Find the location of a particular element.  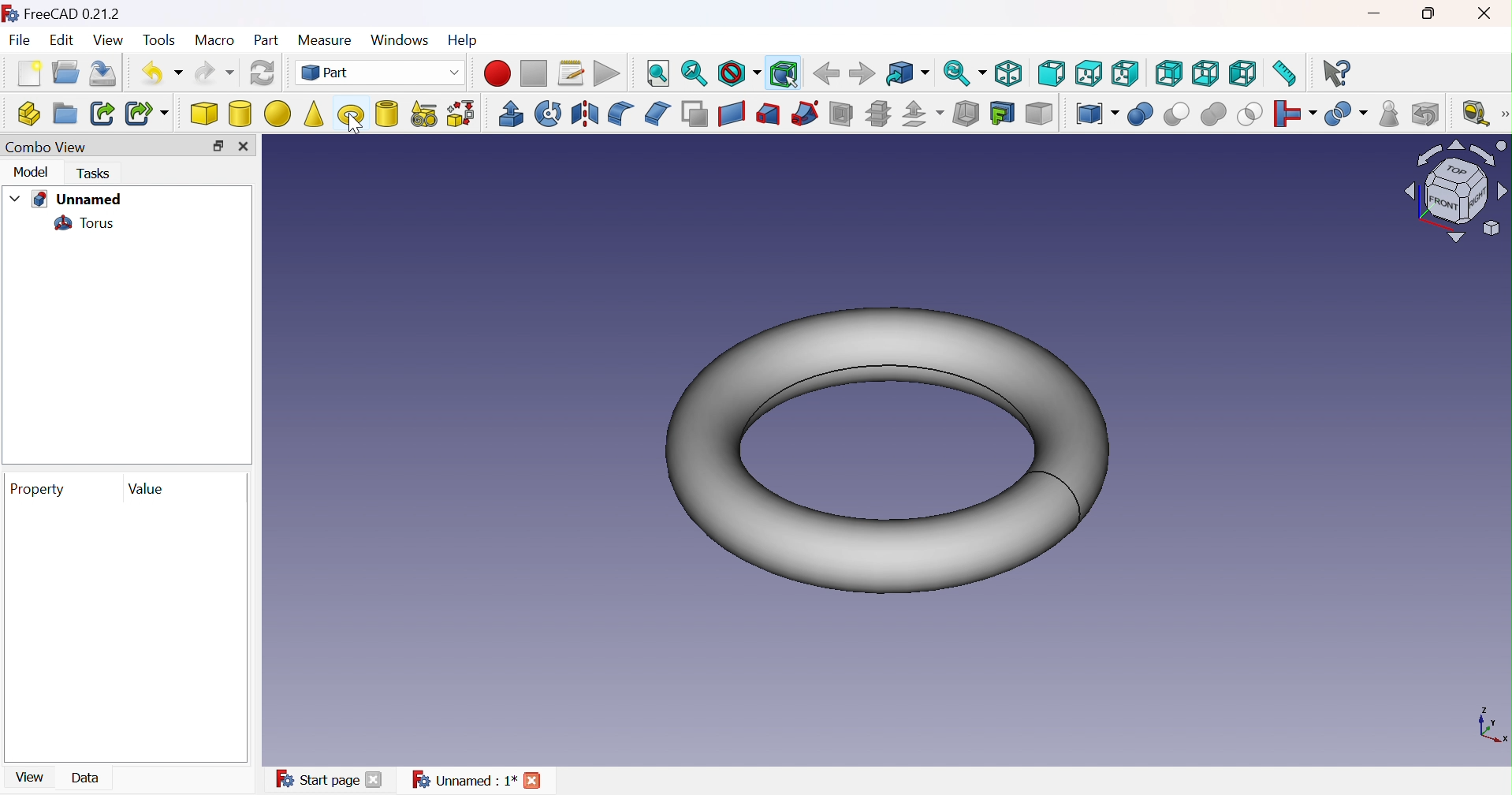

Minimize is located at coordinates (1377, 13).